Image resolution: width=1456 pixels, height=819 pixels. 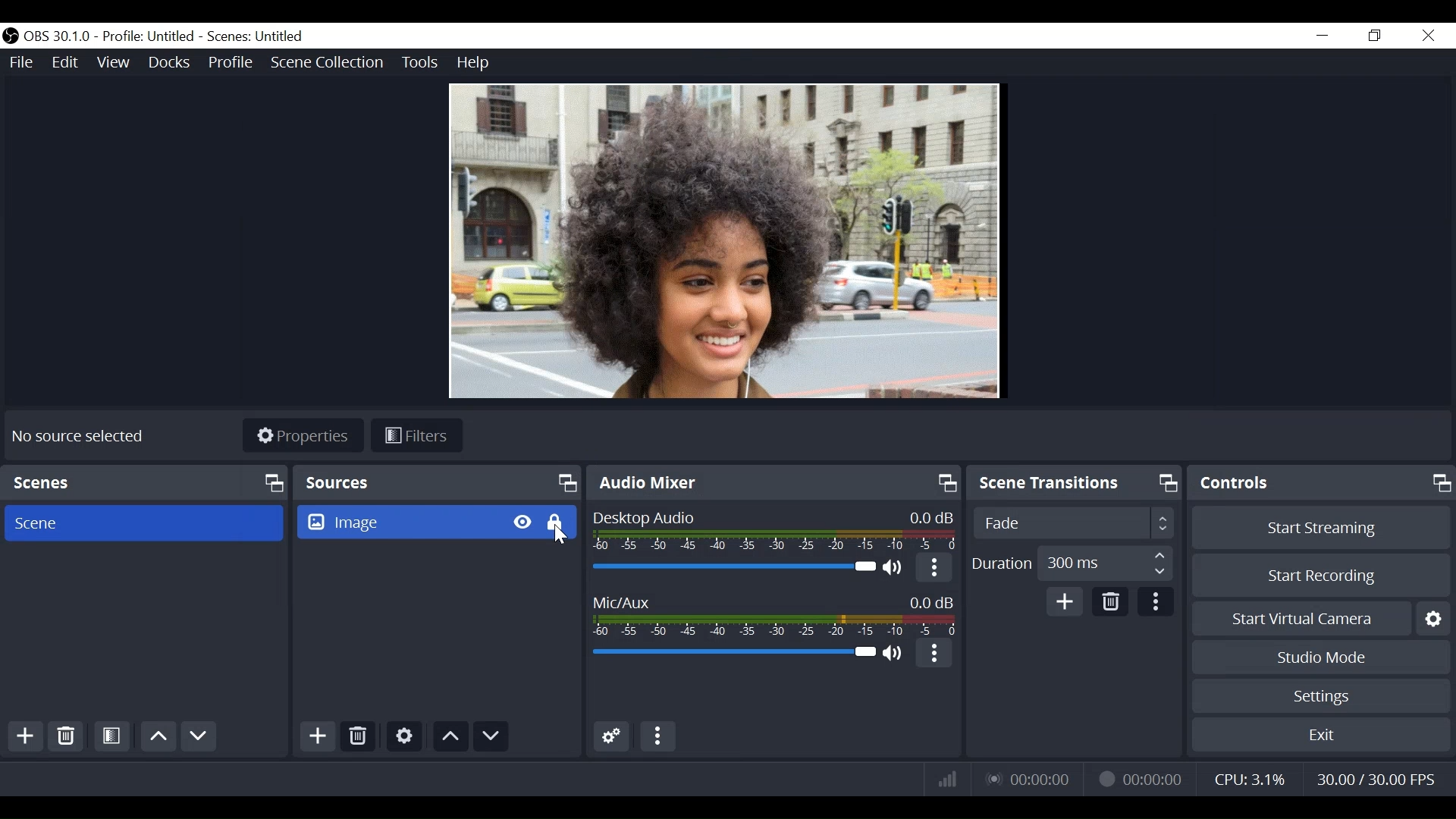 I want to click on Delete, so click(x=357, y=737).